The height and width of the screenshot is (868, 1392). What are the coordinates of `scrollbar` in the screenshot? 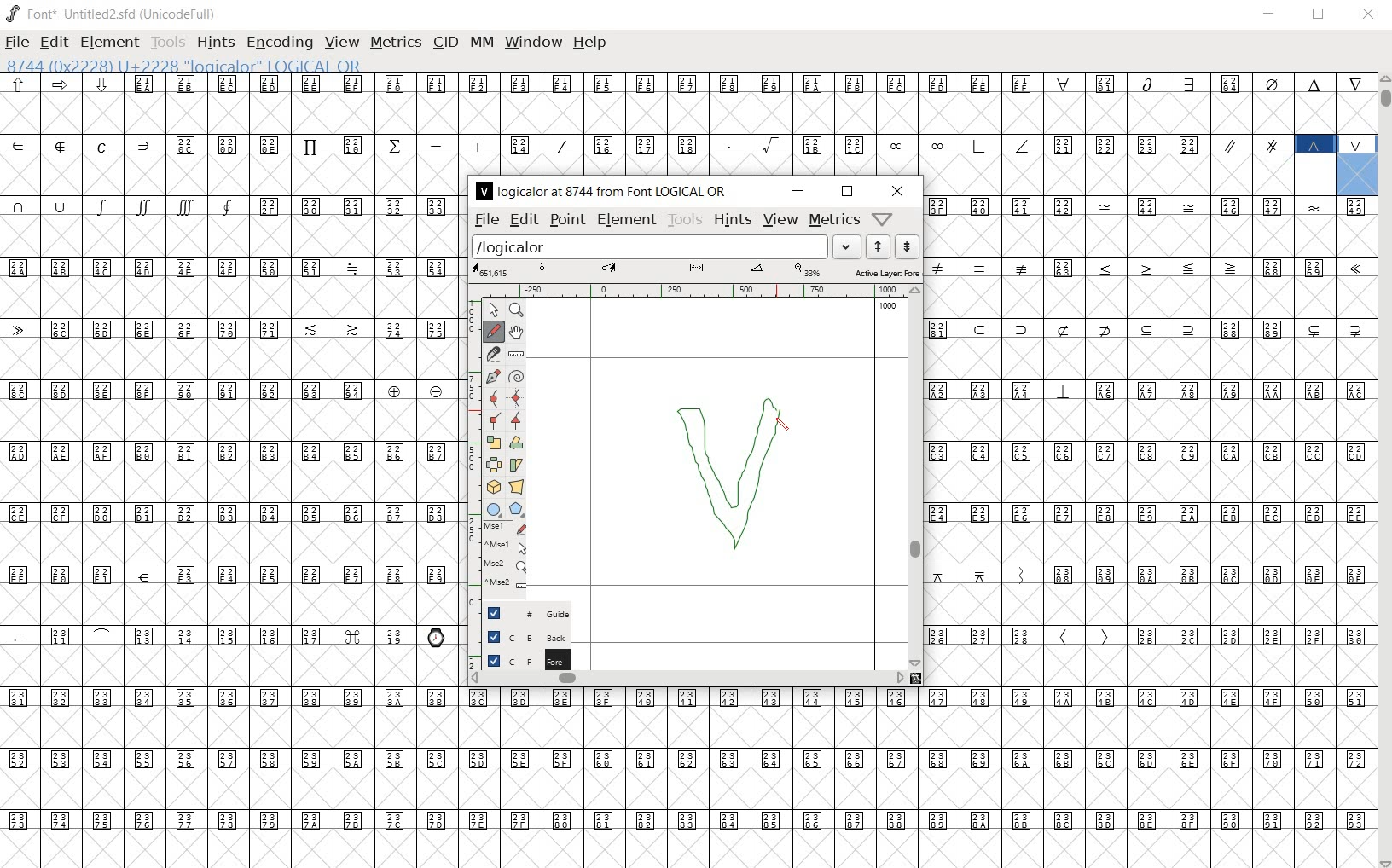 It's located at (1383, 471).